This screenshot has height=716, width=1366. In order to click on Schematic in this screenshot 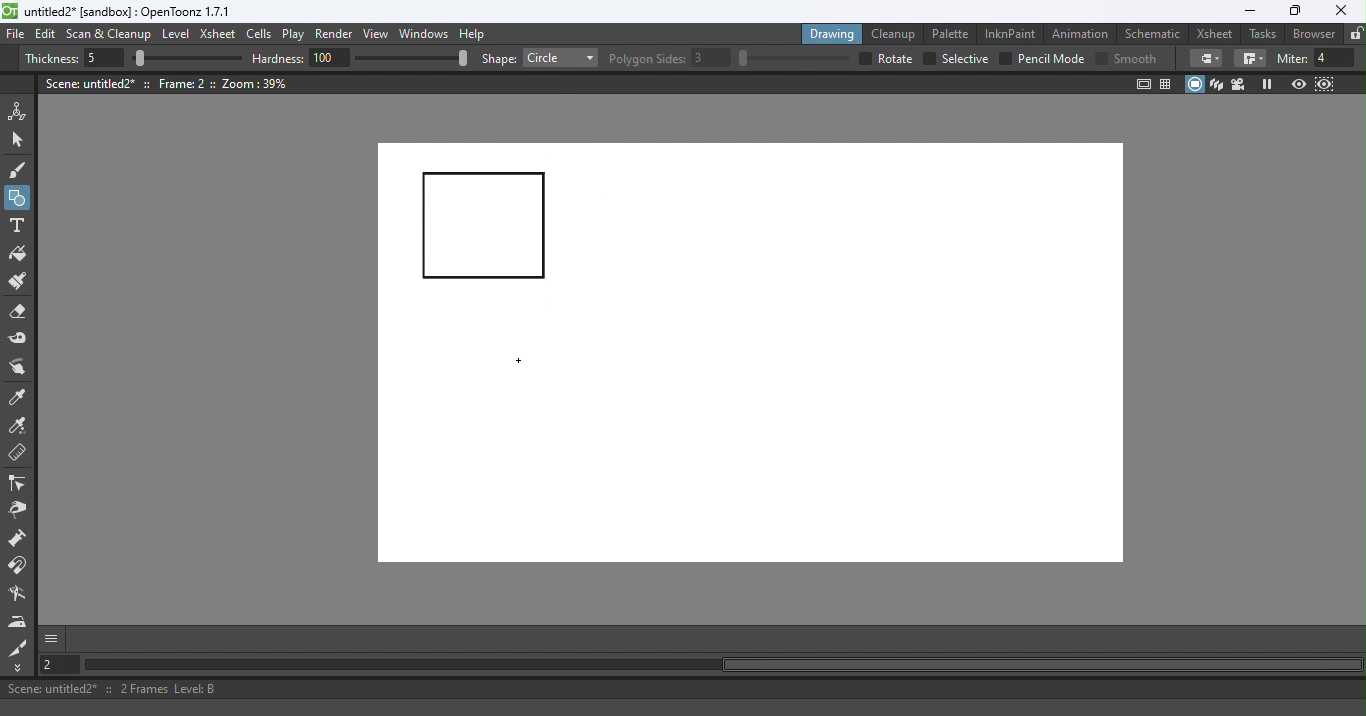, I will do `click(1153, 34)`.